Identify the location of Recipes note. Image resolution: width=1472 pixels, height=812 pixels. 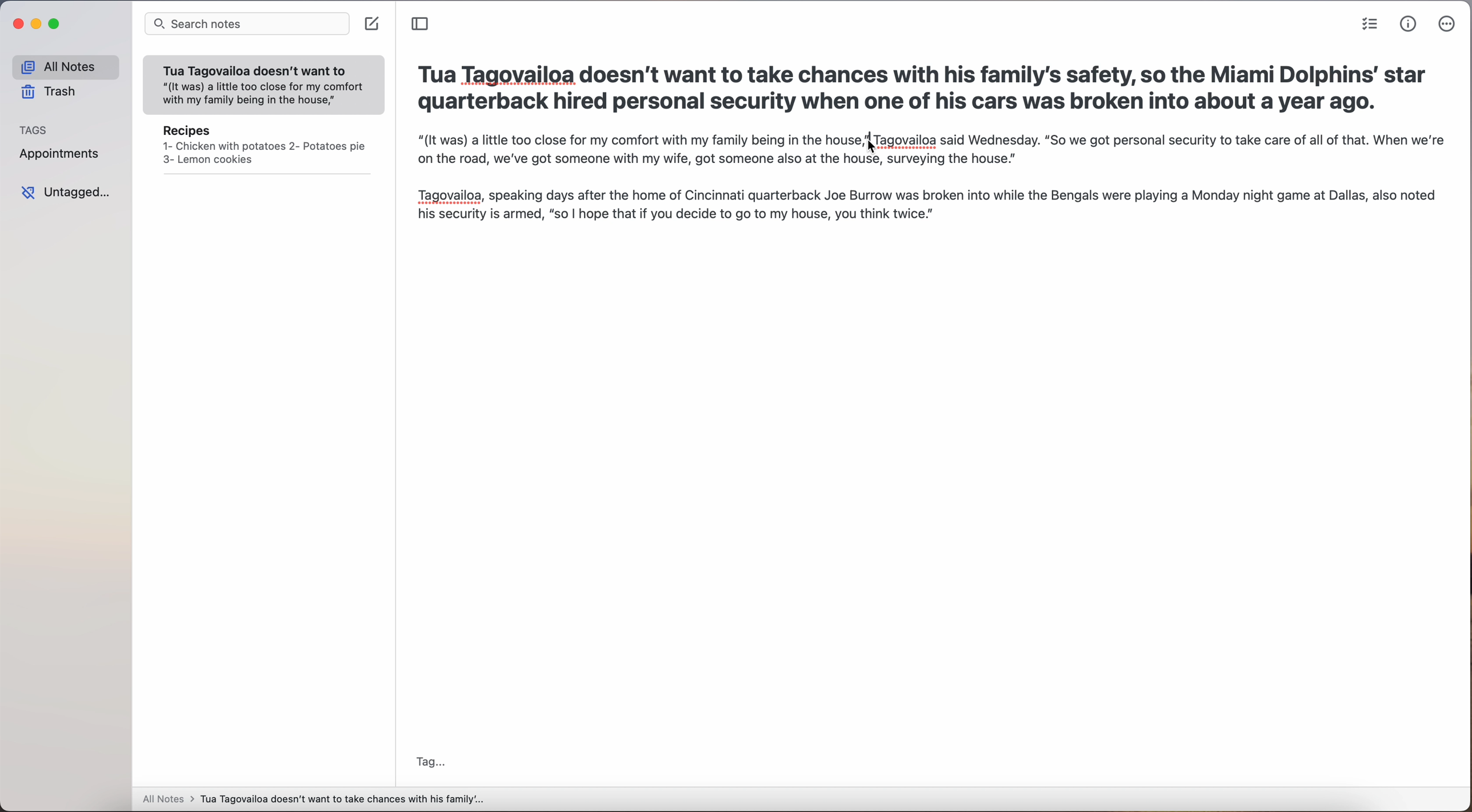
(264, 149).